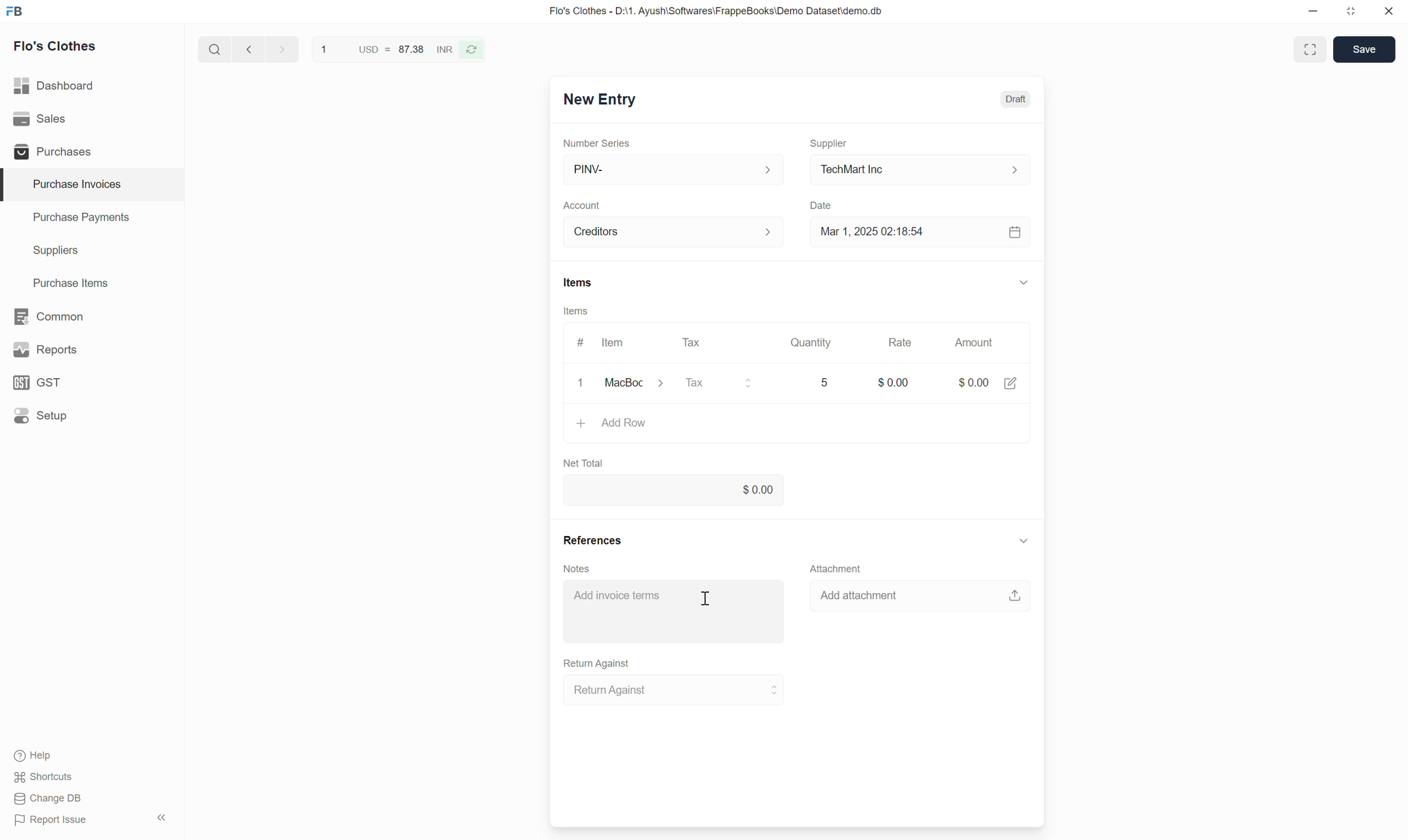 Image resolution: width=1408 pixels, height=840 pixels. I want to click on Collapse, so click(1024, 282).